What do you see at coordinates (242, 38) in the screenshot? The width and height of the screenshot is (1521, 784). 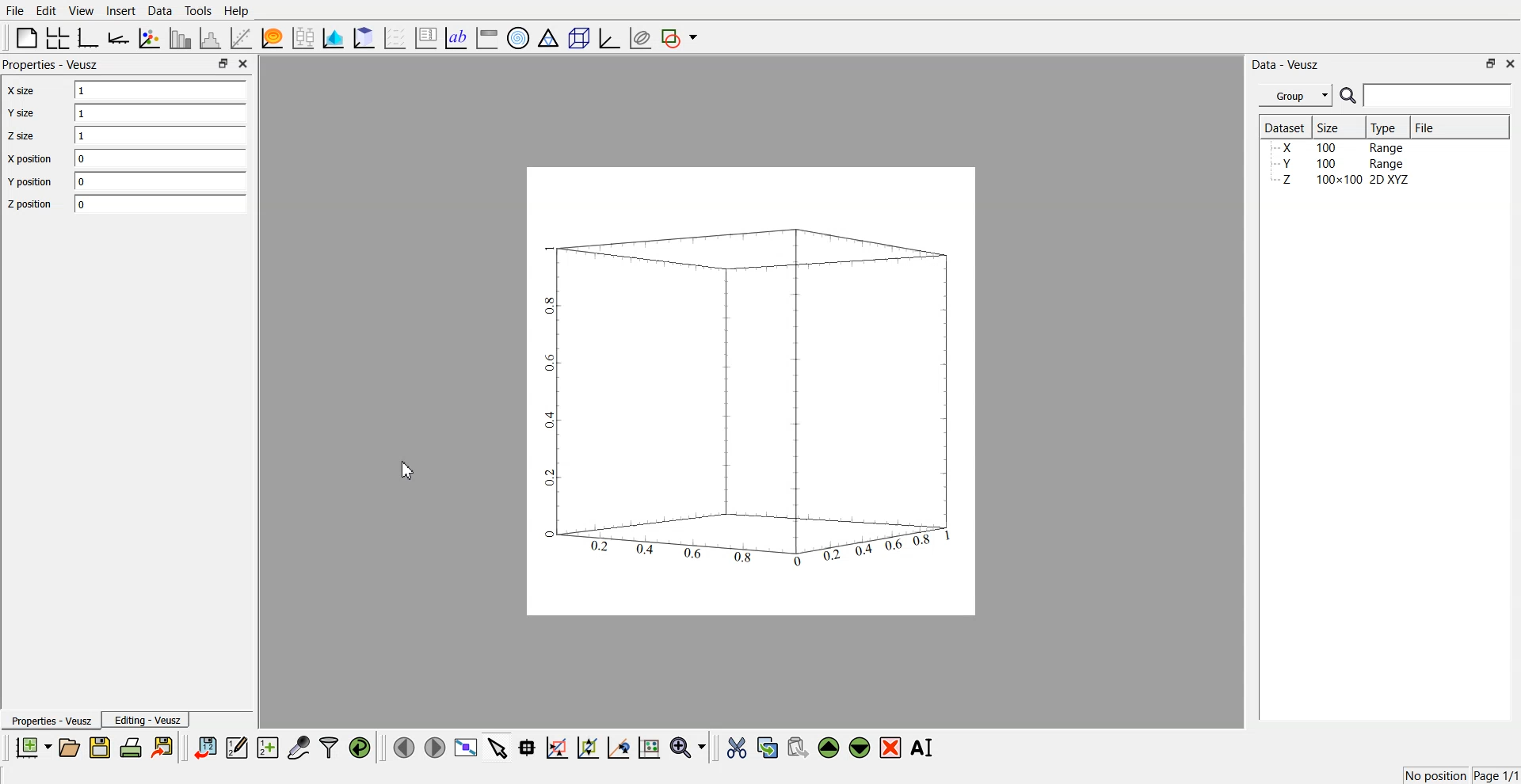 I see `Fit a function of data` at bounding box center [242, 38].